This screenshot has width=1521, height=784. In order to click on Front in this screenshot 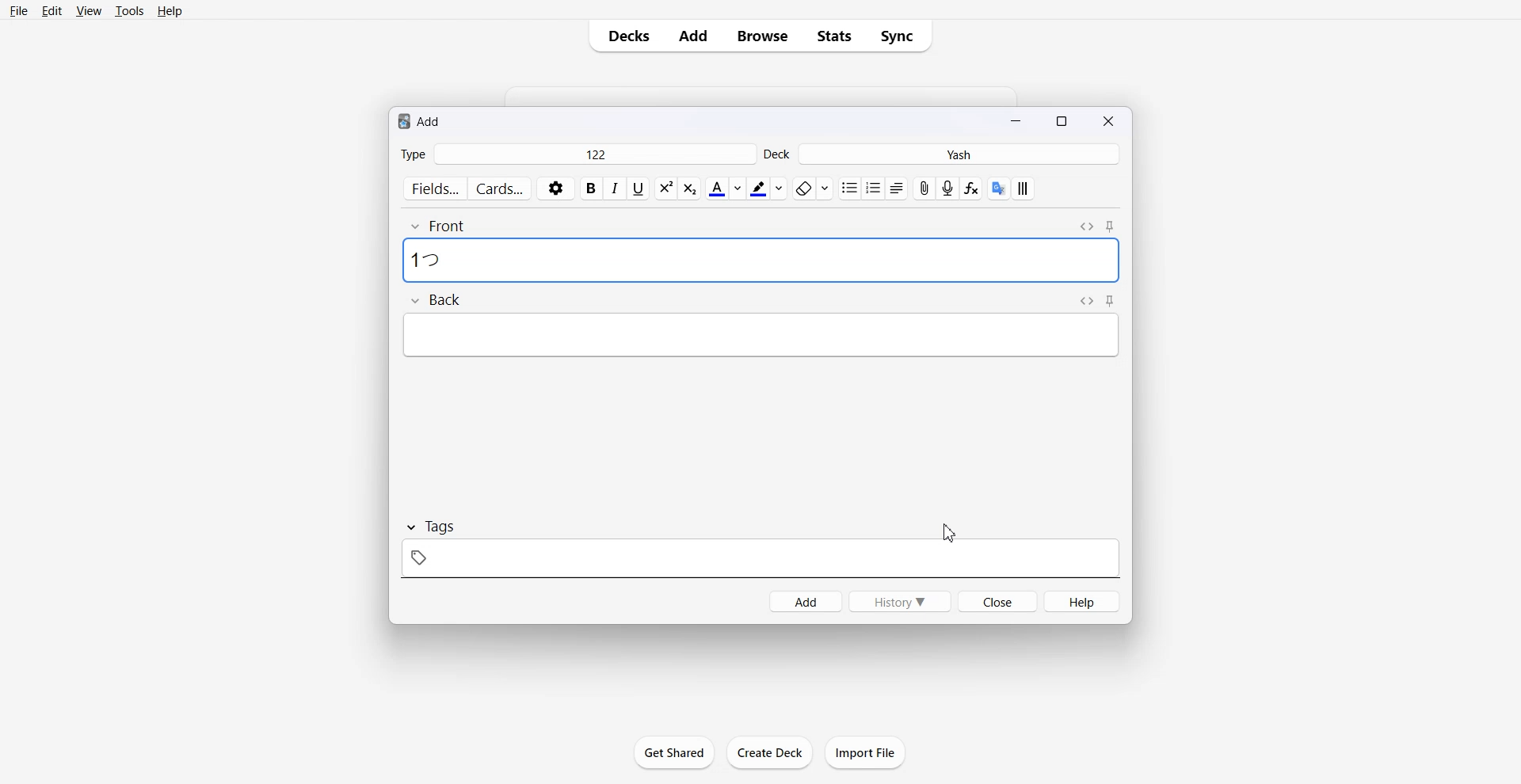, I will do `click(439, 225)`.